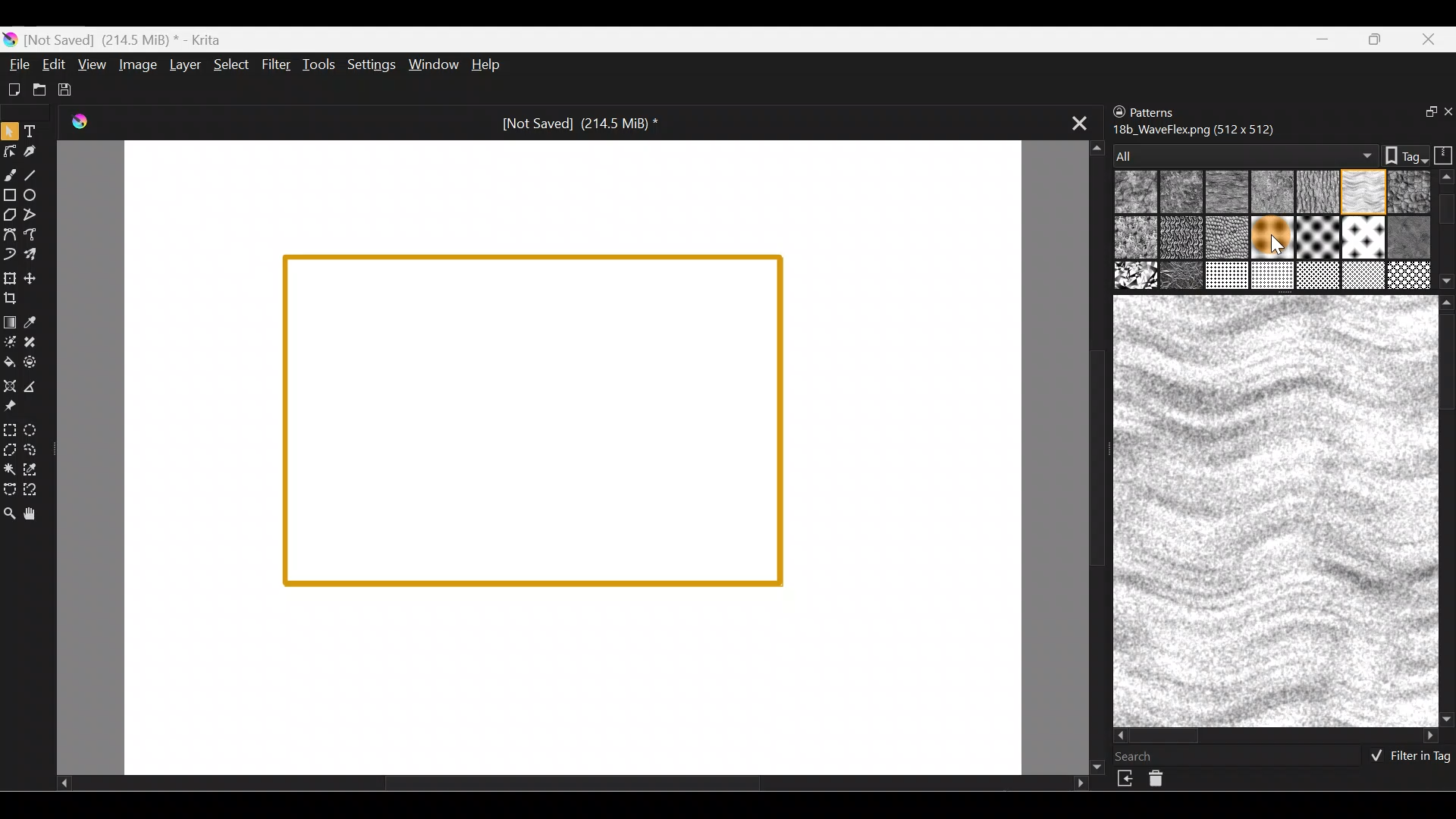  What do you see at coordinates (1131, 193) in the screenshot?
I see `01 canvas.png` at bounding box center [1131, 193].